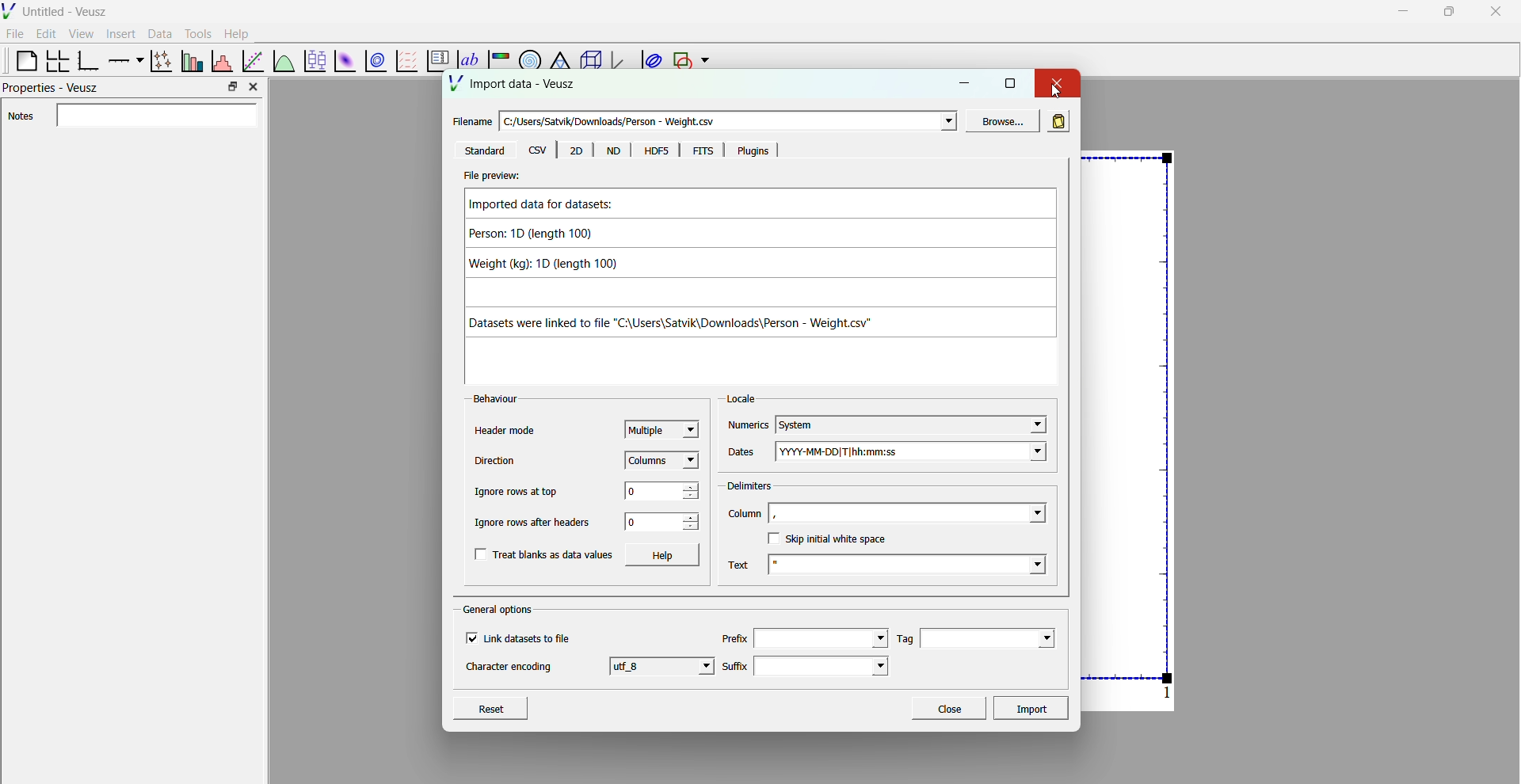 The height and width of the screenshot is (784, 1521). Describe the element at coordinates (742, 561) in the screenshot. I see `Text` at that location.